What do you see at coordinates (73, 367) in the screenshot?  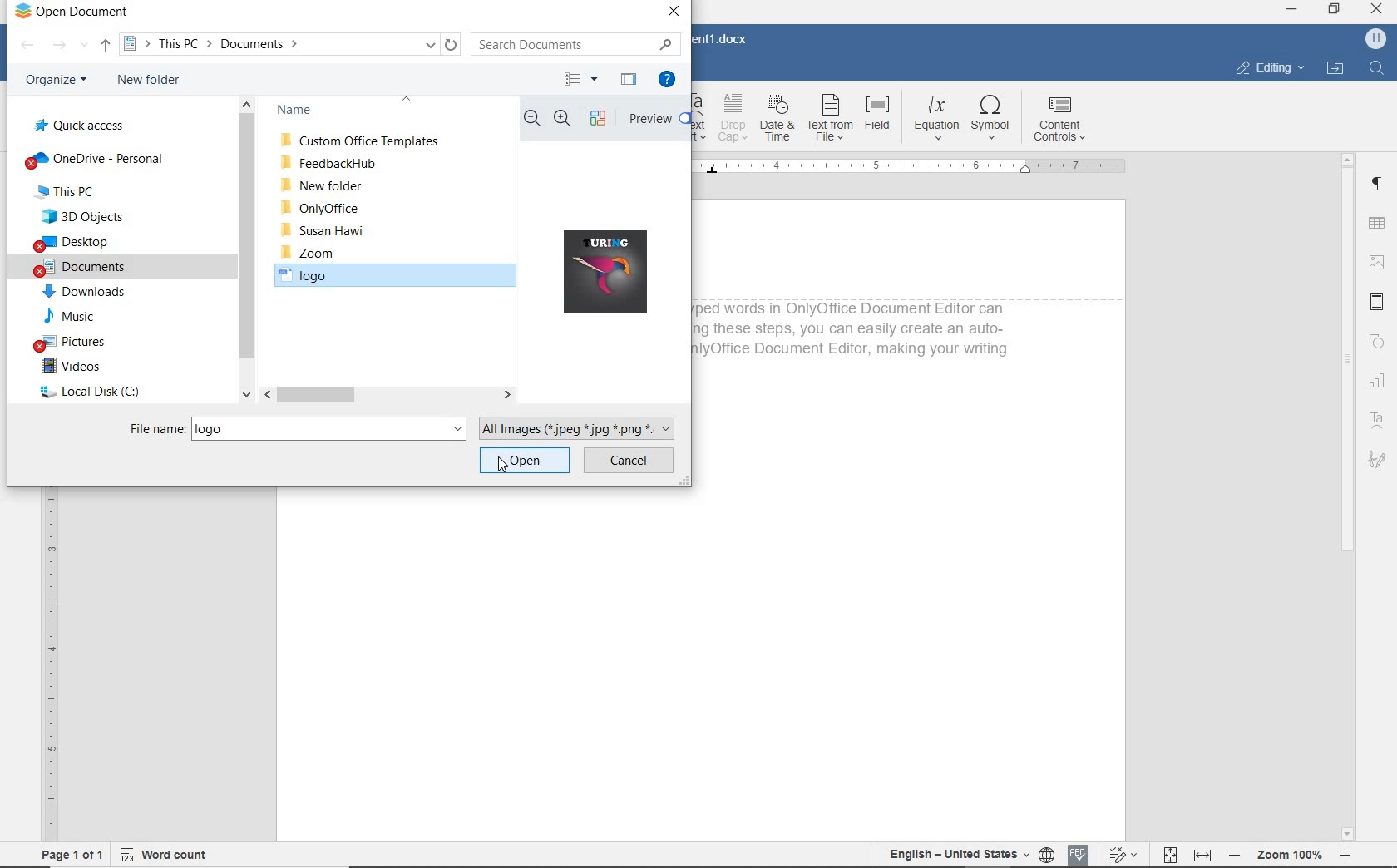 I see `VIDEOS` at bounding box center [73, 367].